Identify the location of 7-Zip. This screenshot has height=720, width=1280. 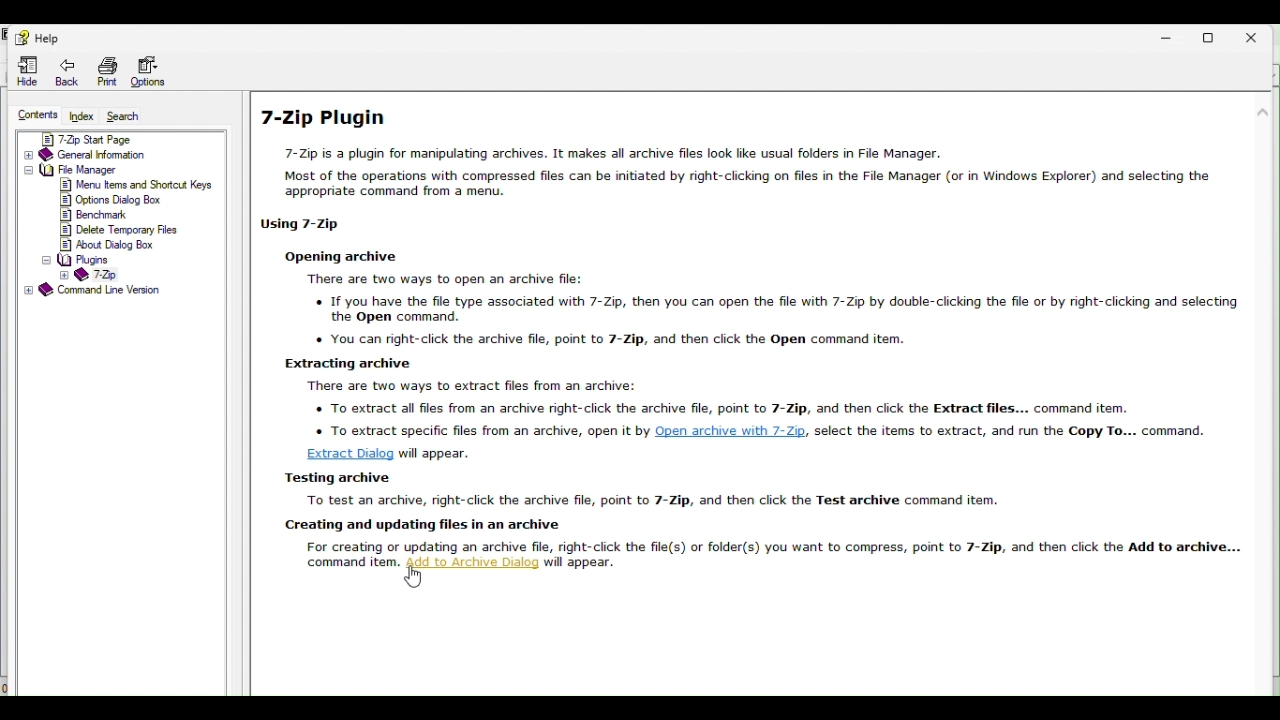
(91, 275).